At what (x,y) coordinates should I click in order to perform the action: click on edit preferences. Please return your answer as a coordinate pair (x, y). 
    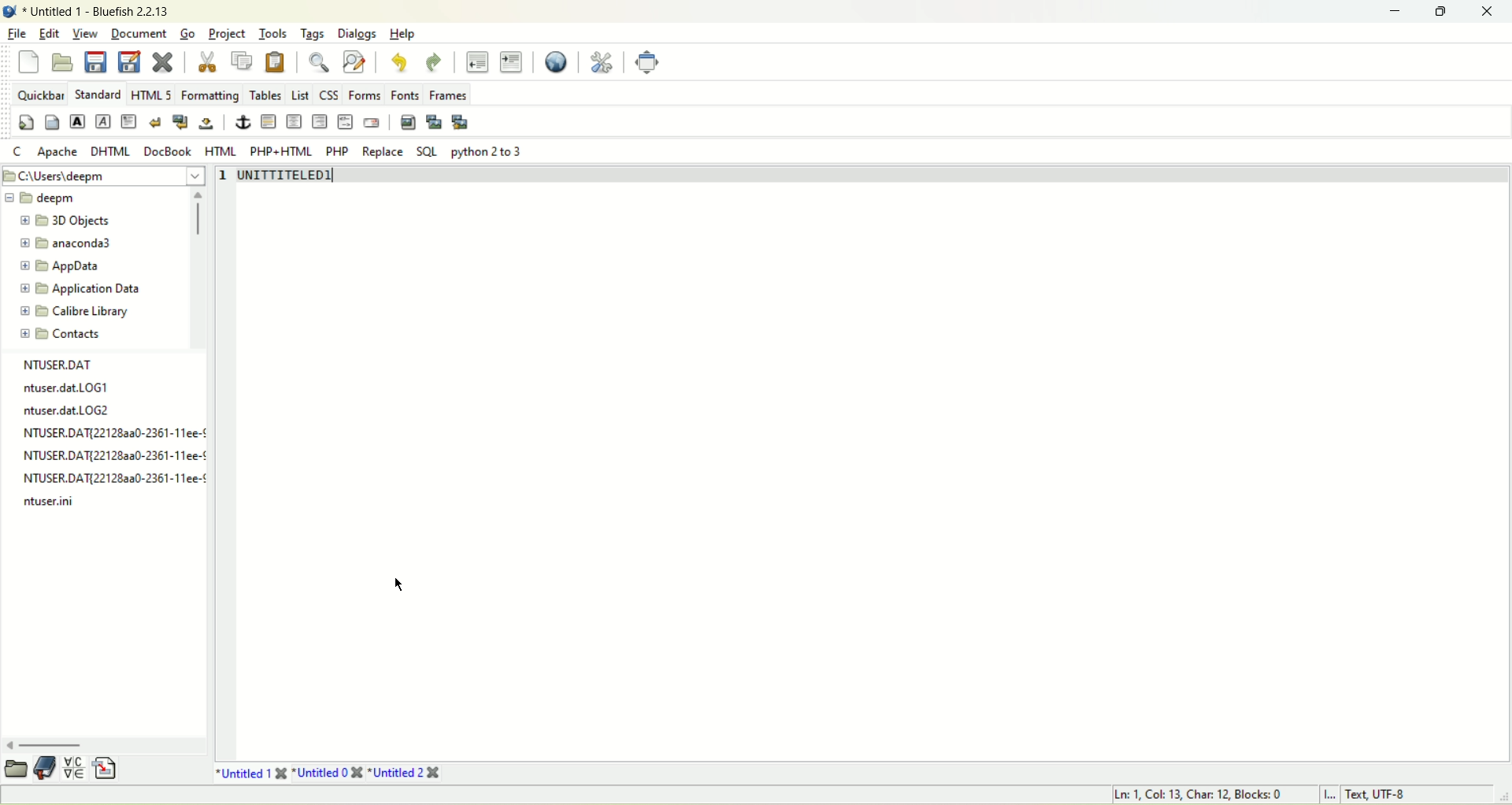
    Looking at the image, I should click on (603, 64).